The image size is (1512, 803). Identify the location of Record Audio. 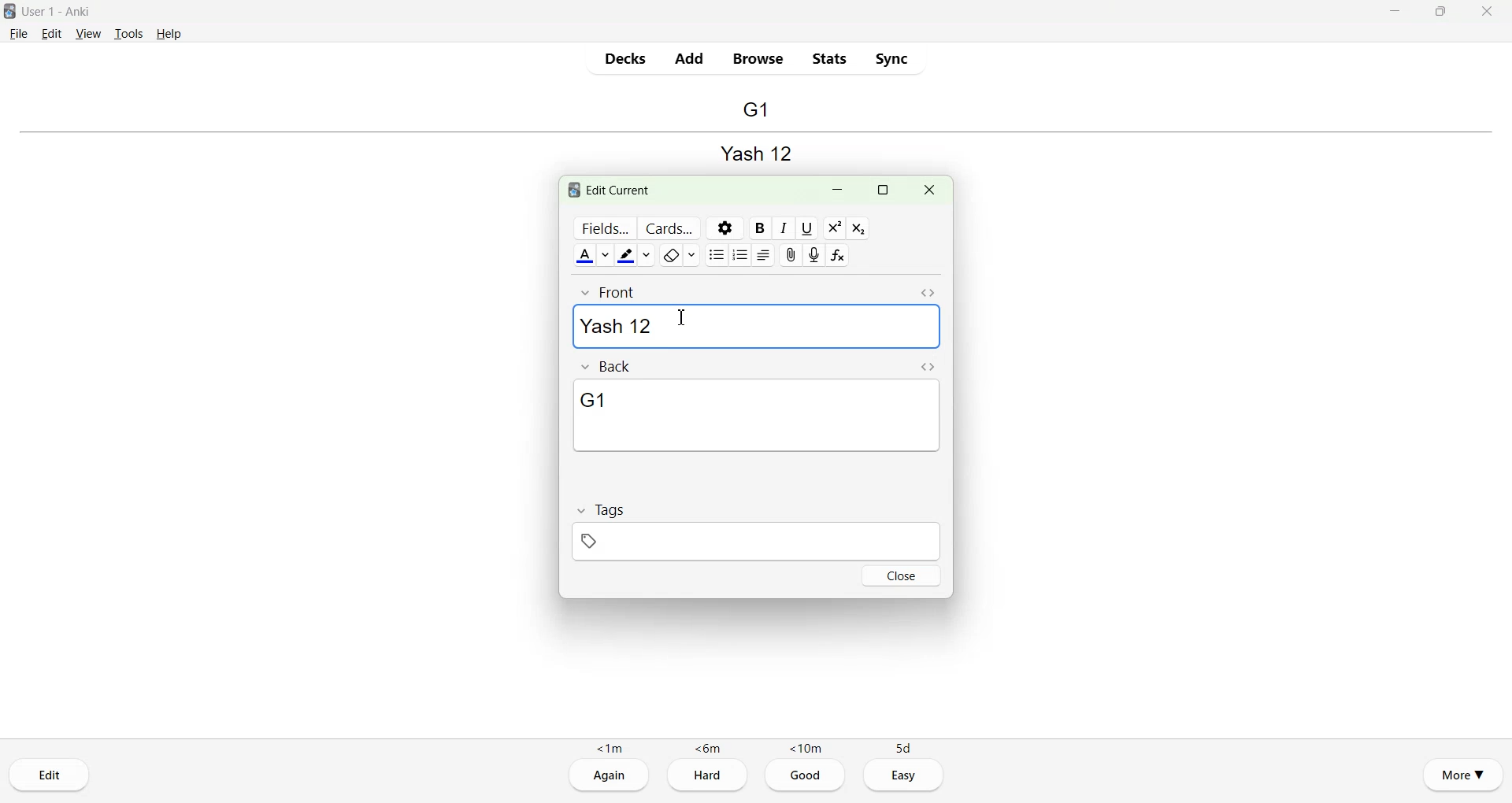
(814, 255).